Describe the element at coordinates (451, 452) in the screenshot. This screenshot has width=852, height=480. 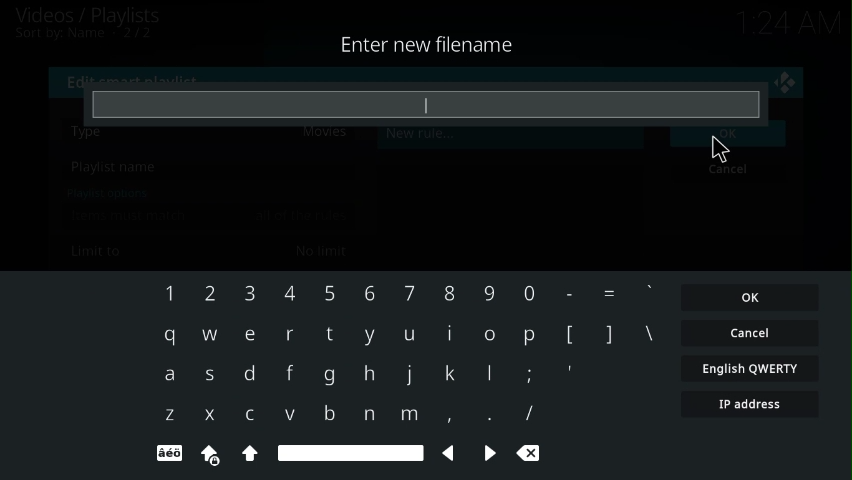
I see `back` at that location.